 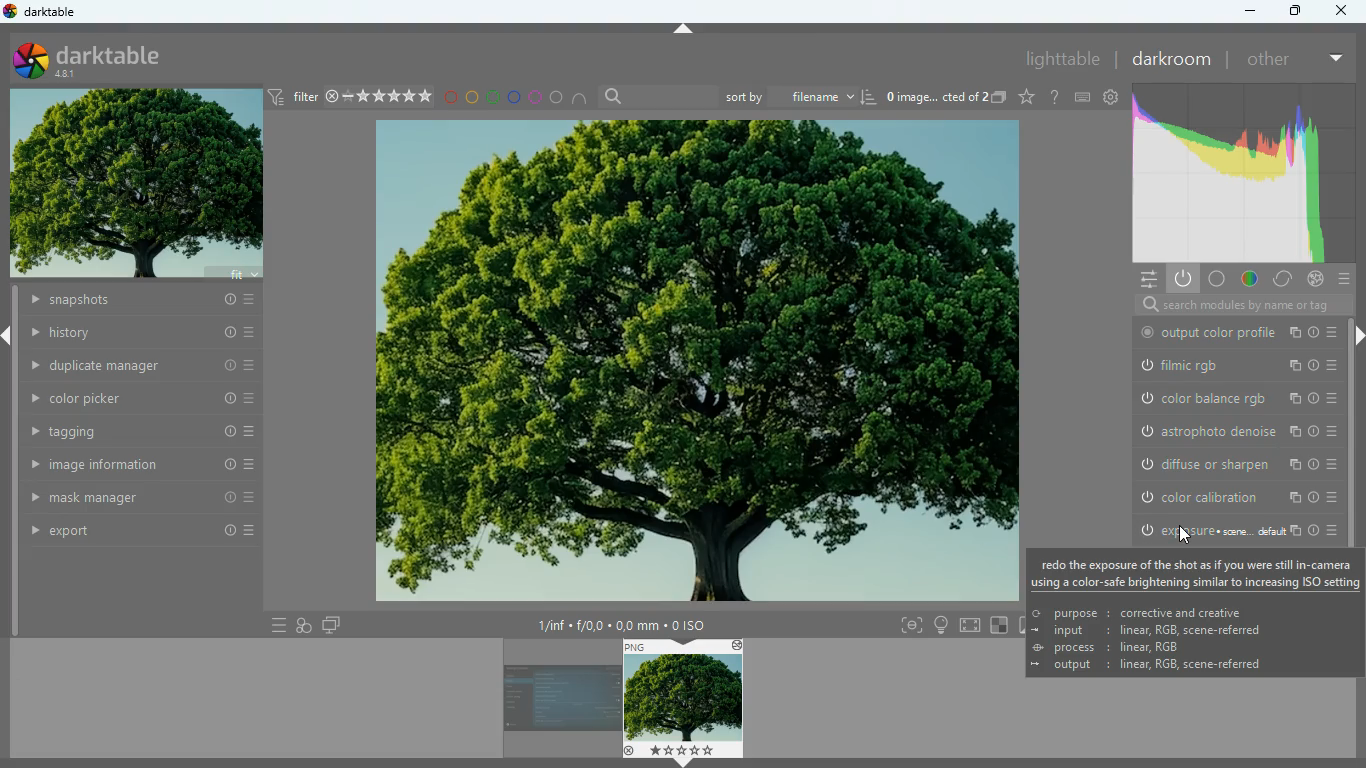 I want to click on more, so click(x=1335, y=59).